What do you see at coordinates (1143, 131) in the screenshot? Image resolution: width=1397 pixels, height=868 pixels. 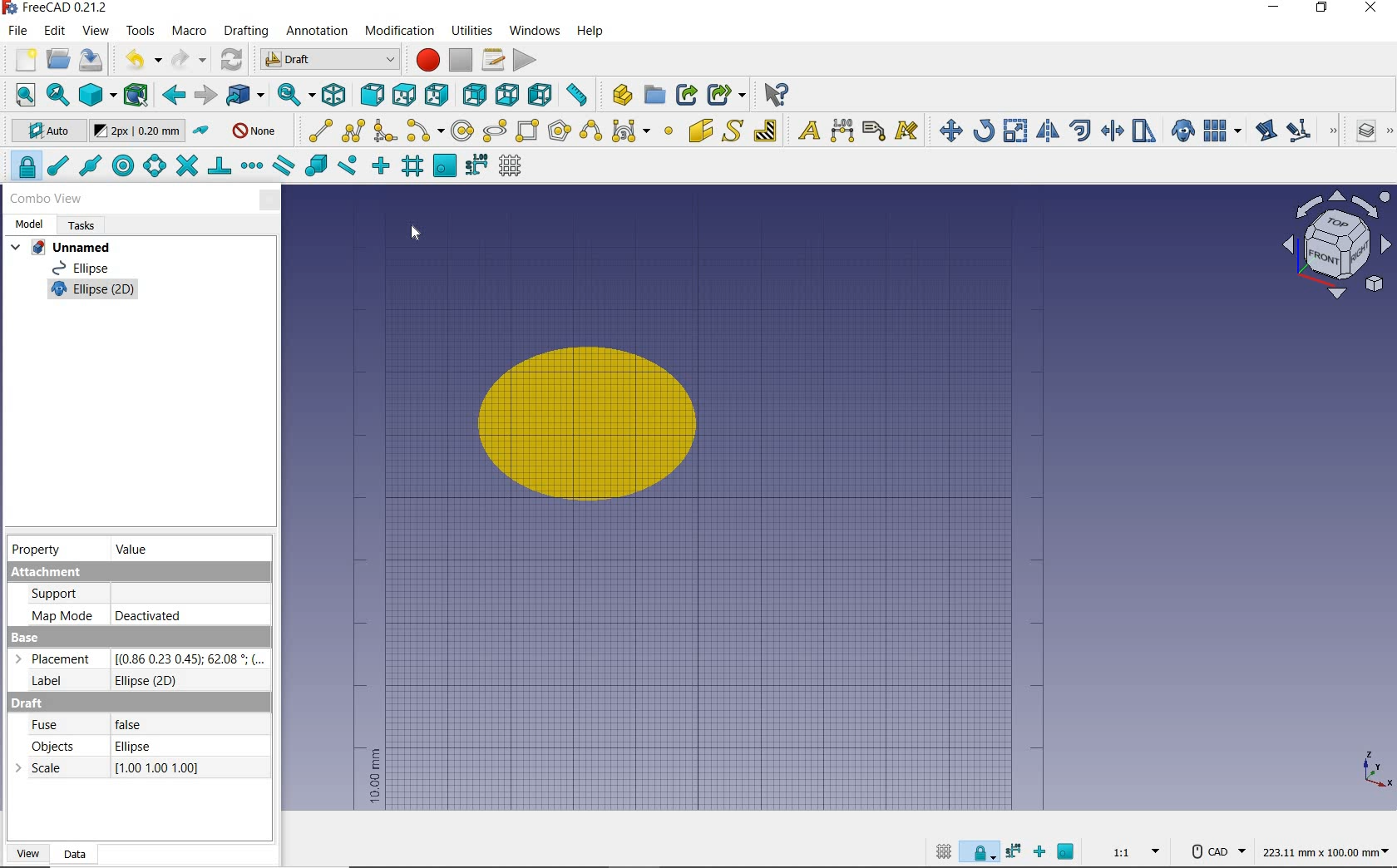 I see `stretch` at bounding box center [1143, 131].